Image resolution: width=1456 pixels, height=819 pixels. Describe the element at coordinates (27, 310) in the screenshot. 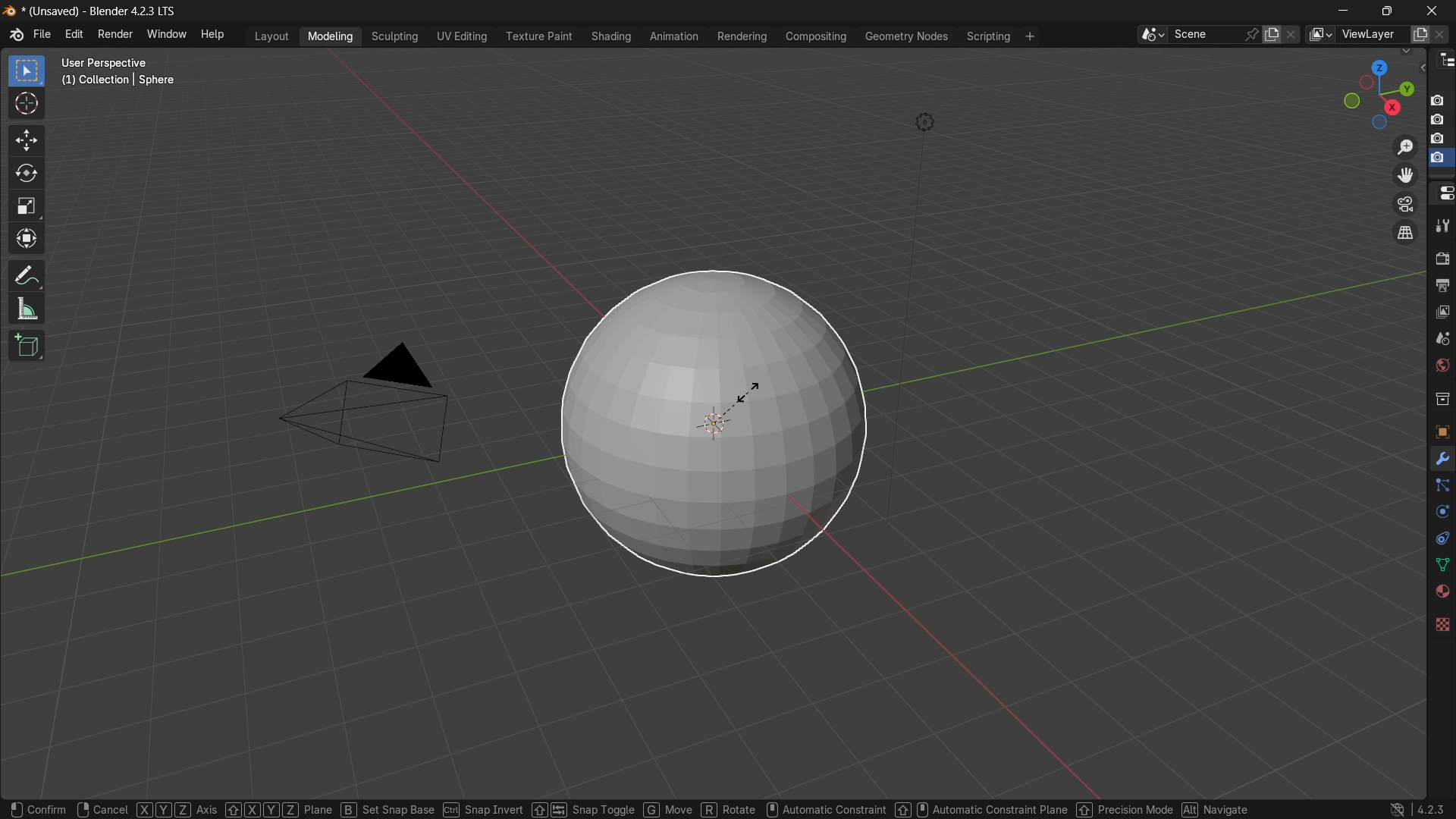

I see `measure` at that location.